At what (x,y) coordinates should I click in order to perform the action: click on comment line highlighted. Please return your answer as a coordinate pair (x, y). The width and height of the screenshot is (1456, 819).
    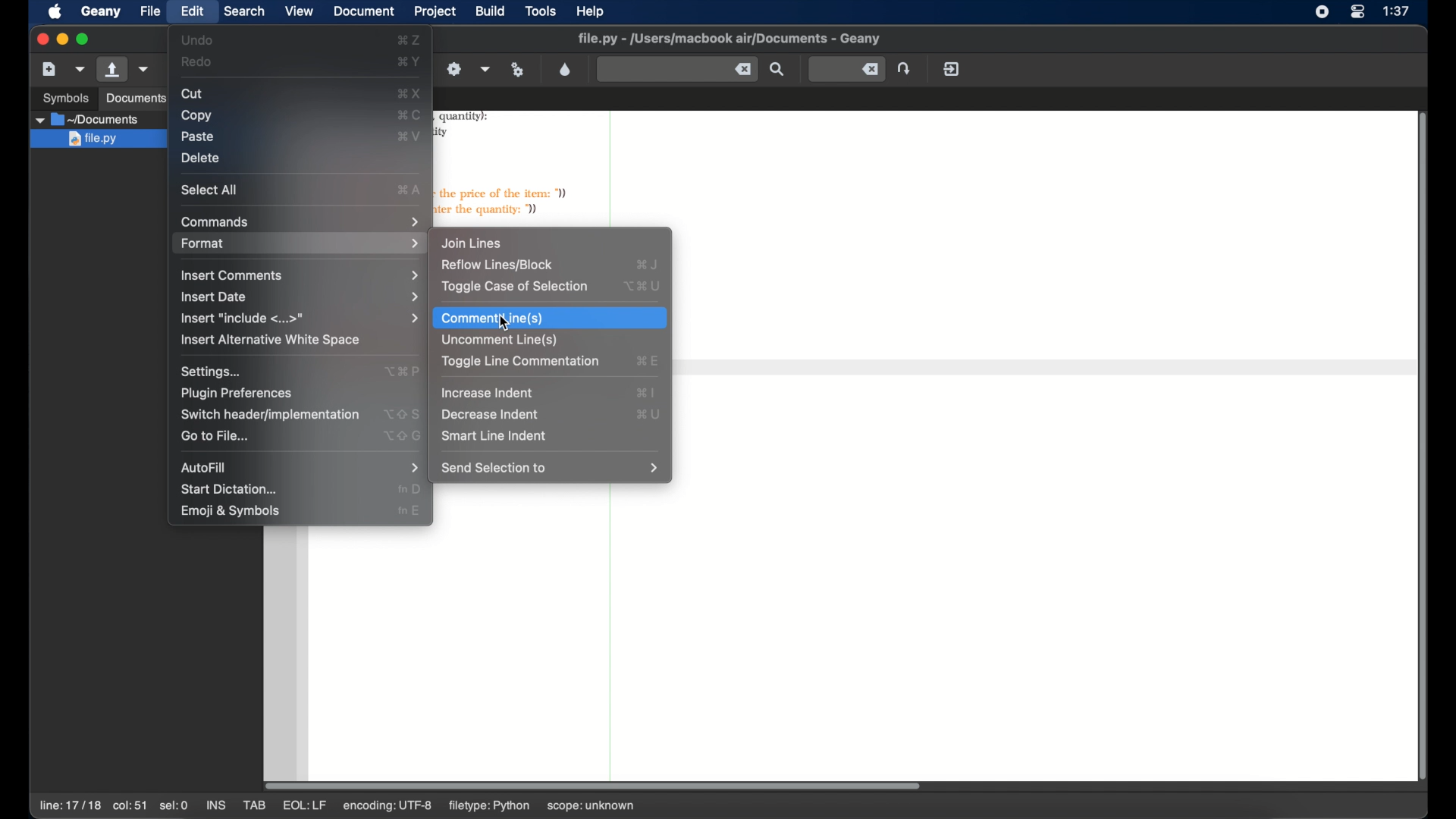
    Looking at the image, I should click on (551, 317).